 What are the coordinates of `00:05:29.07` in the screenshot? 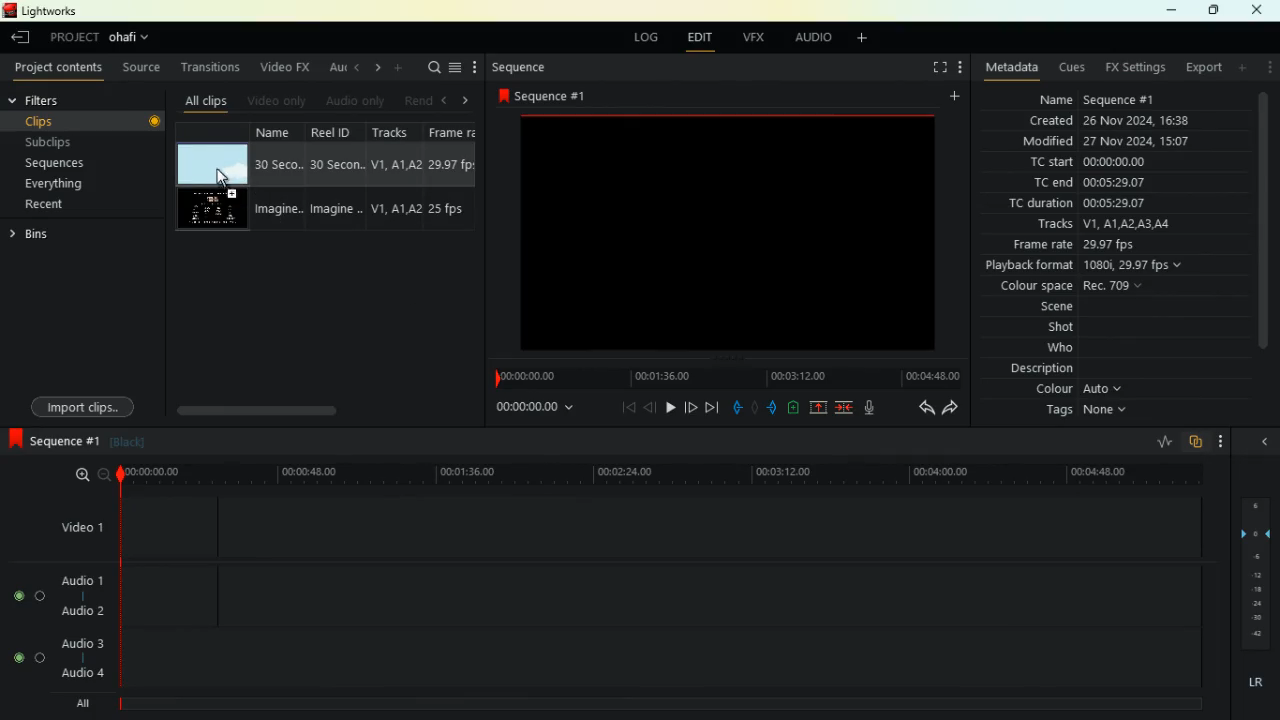 It's located at (1121, 203).